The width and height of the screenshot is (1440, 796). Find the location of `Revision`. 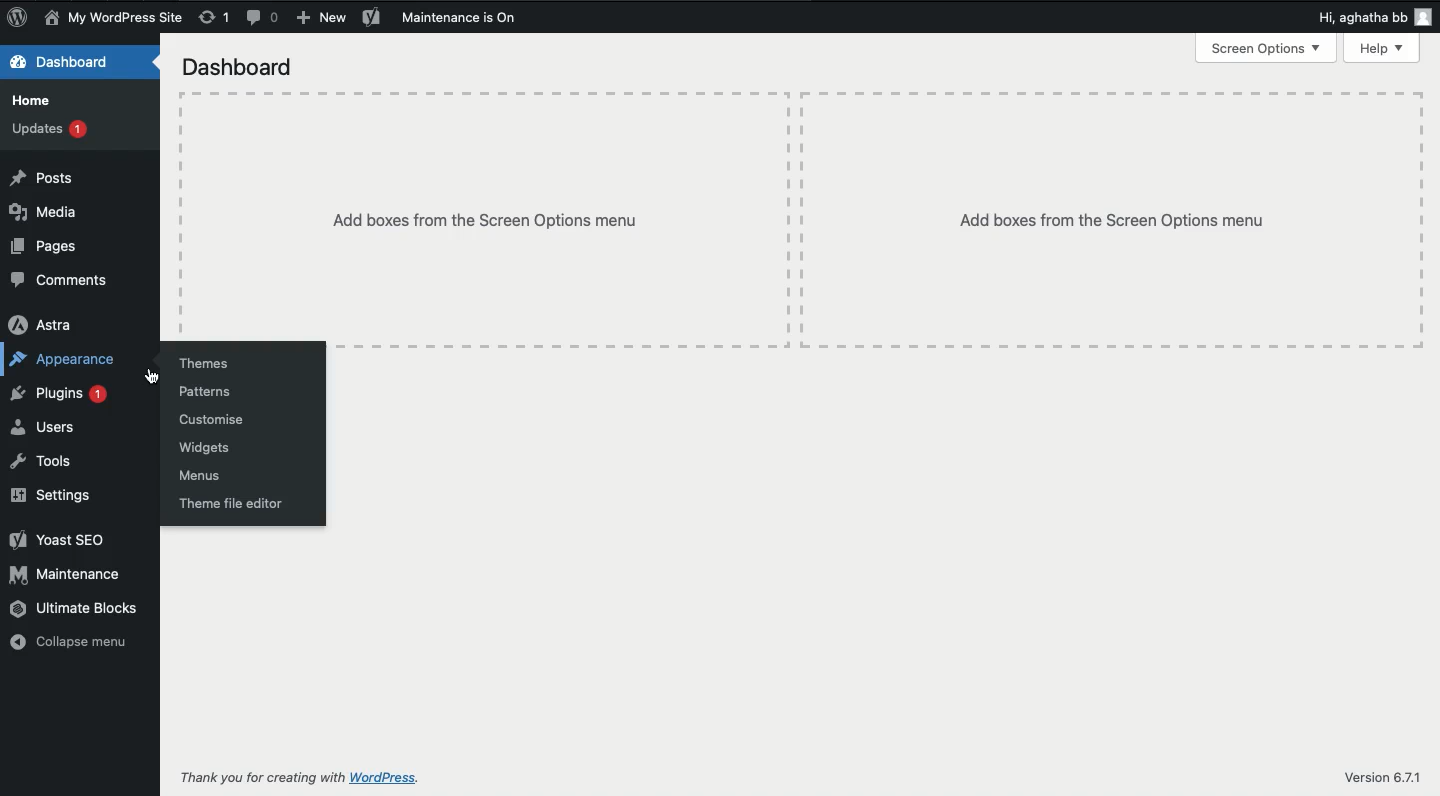

Revision is located at coordinates (217, 20).